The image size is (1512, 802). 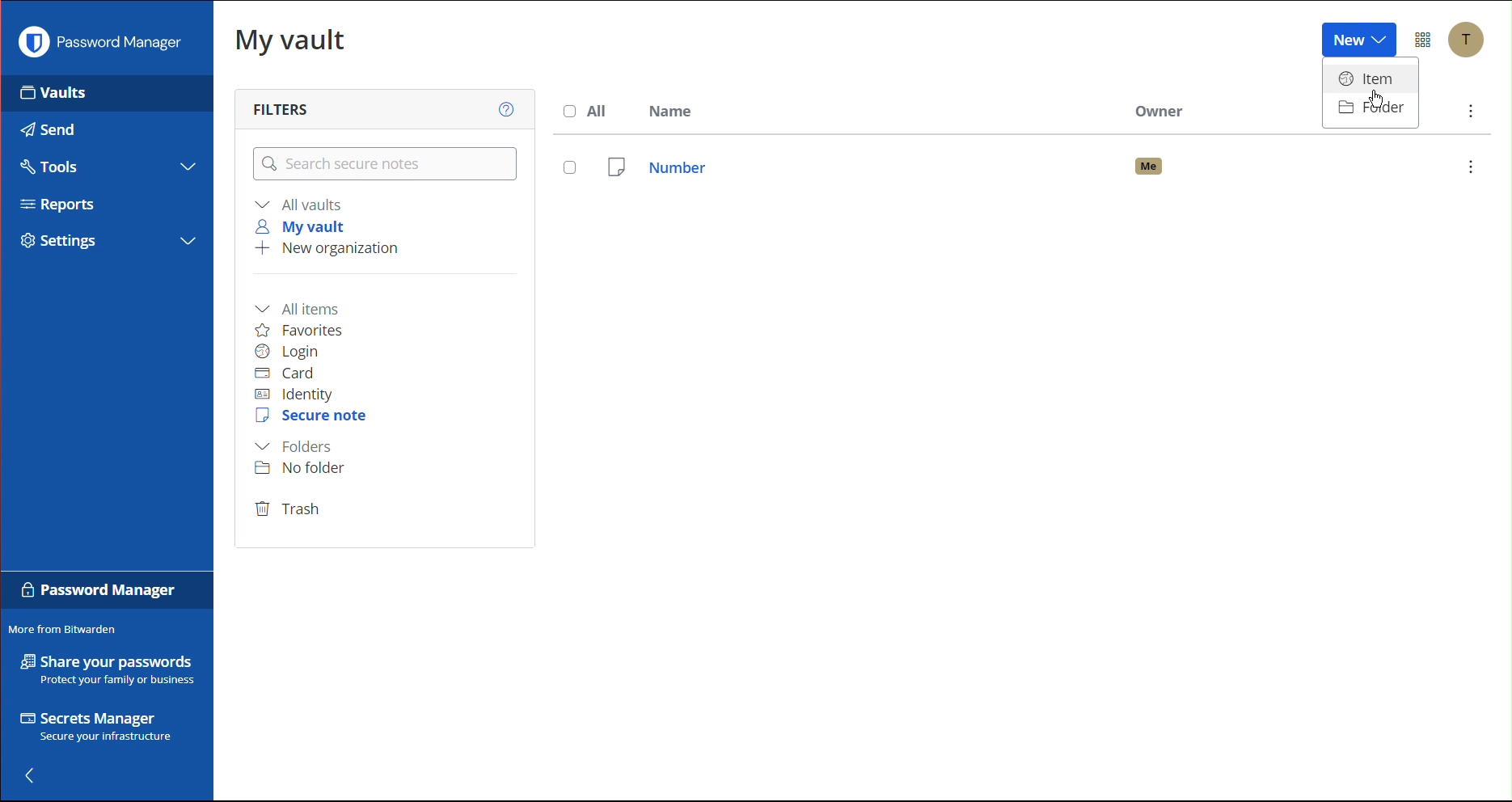 What do you see at coordinates (288, 352) in the screenshot?
I see `Login` at bounding box center [288, 352].